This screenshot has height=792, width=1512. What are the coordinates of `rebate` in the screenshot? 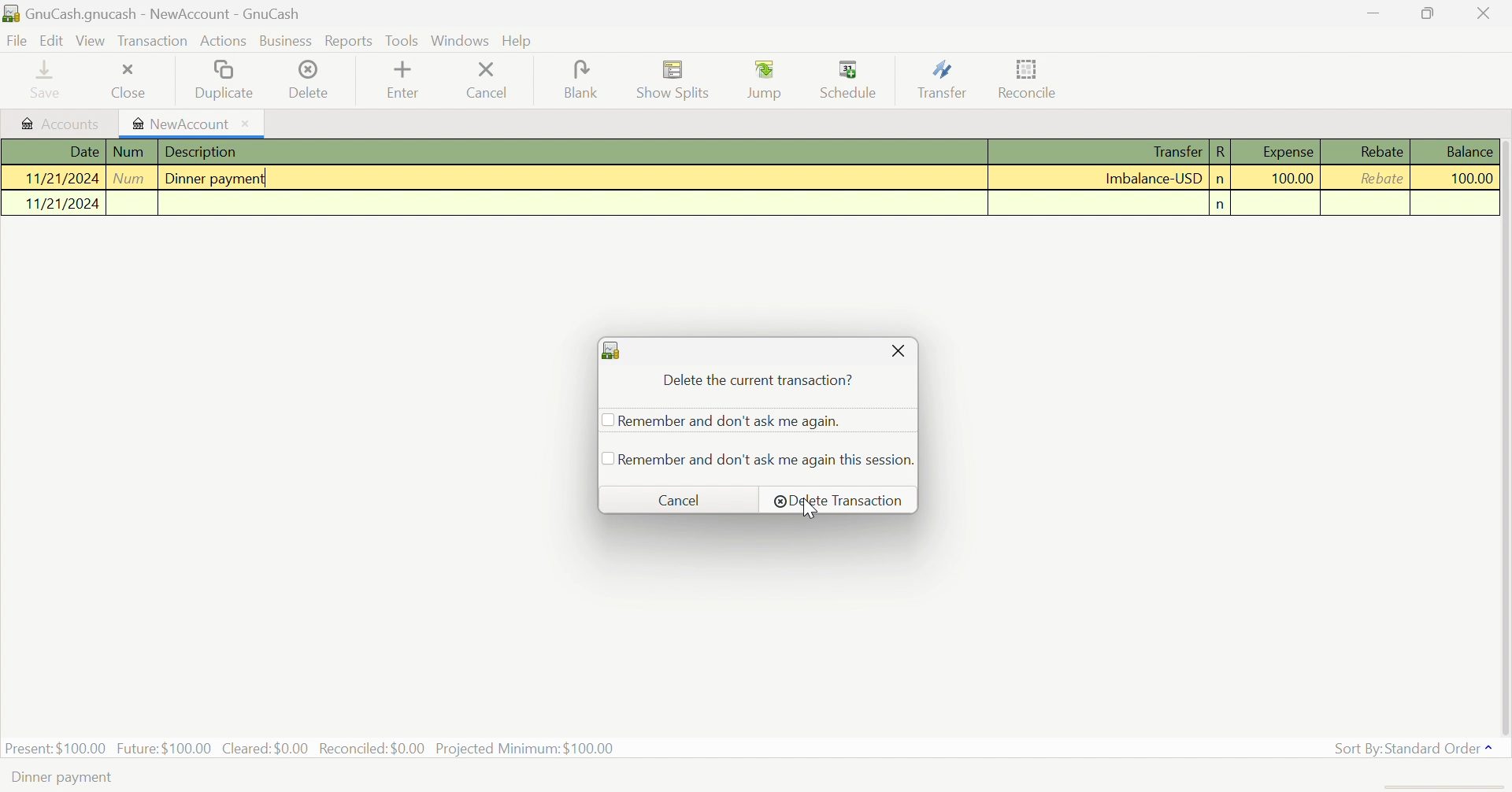 It's located at (1377, 176).